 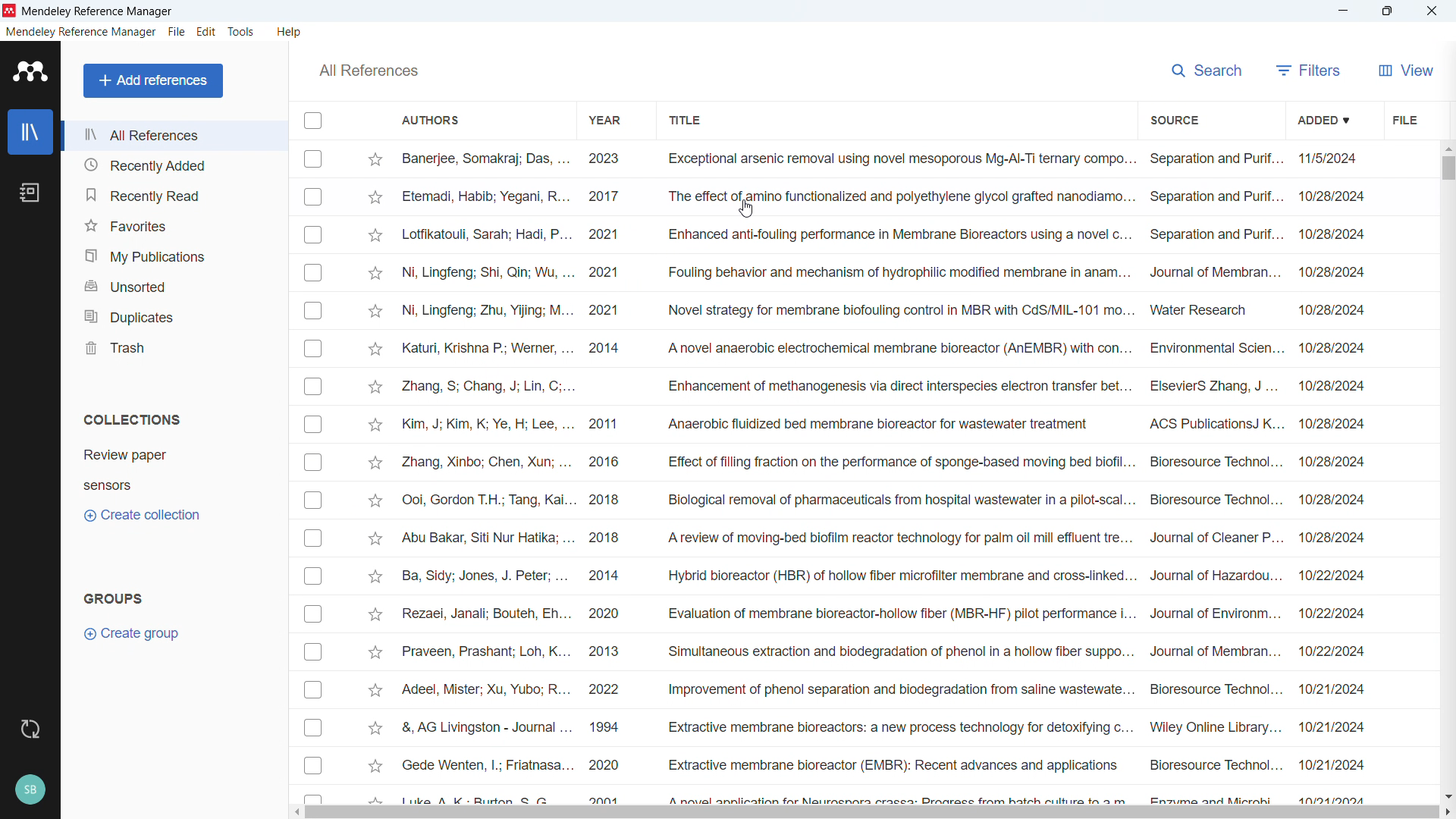 I want to click on Recently read , so click(x=173, y=195).